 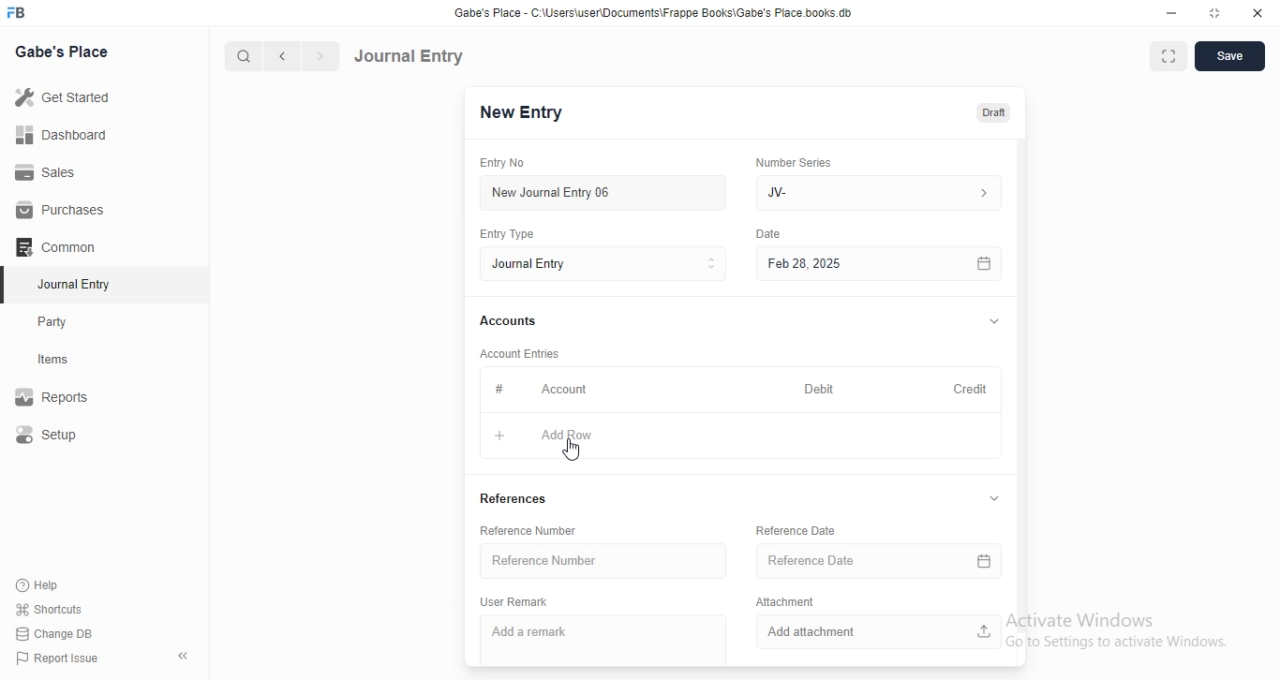 I want to click on Attachment, so click(x=794, y=601).